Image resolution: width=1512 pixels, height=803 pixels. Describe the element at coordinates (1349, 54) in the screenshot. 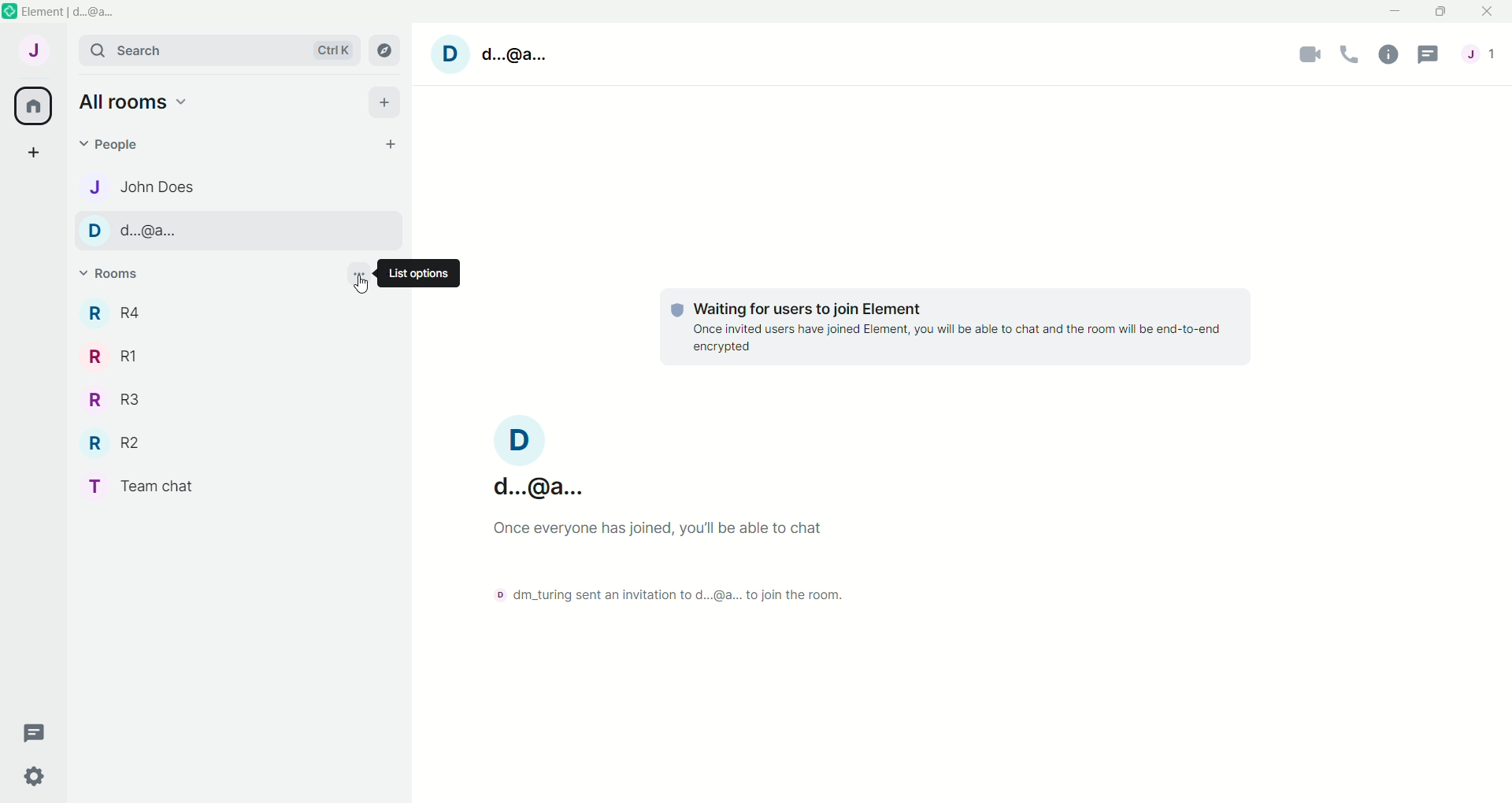

I see `Voice Call` at that location.